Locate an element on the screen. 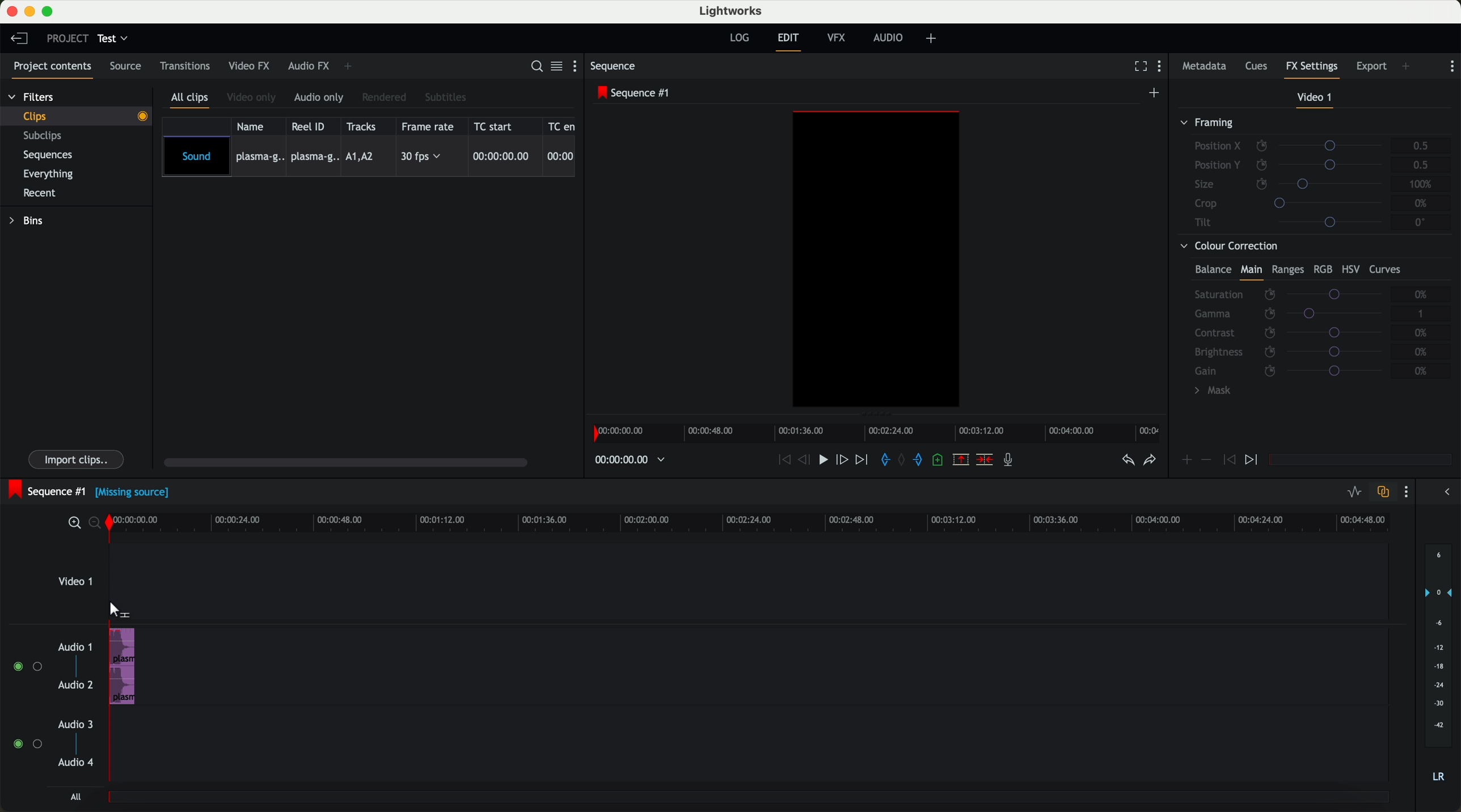 This screenshot has width=1461, height=812. toggle between list and toggle view is located at coordinates (558, 67).